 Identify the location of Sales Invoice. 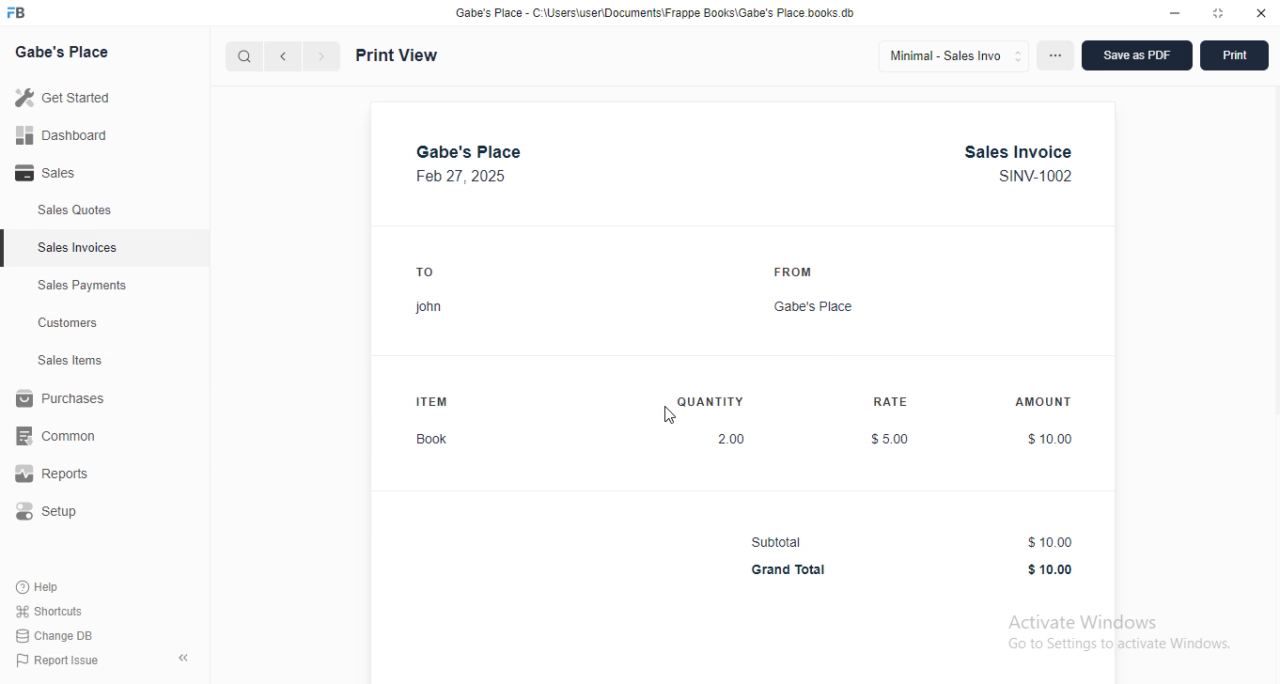
(1019, 152).